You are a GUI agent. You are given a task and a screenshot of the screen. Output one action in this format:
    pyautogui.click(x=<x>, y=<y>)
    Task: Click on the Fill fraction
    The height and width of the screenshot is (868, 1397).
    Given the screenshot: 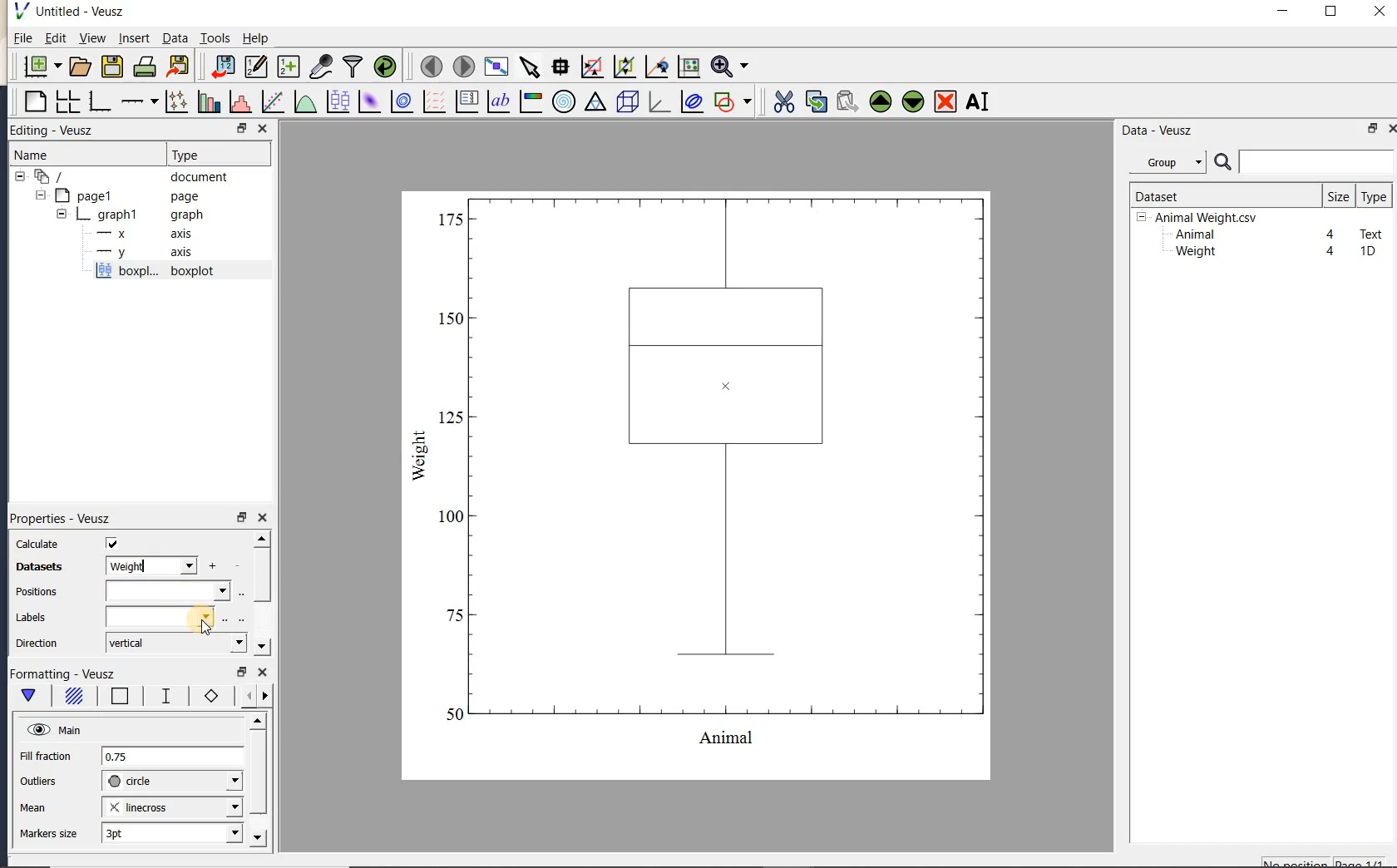 What is the action you would take?
    pyautogui.click(x=46, y=757)
    